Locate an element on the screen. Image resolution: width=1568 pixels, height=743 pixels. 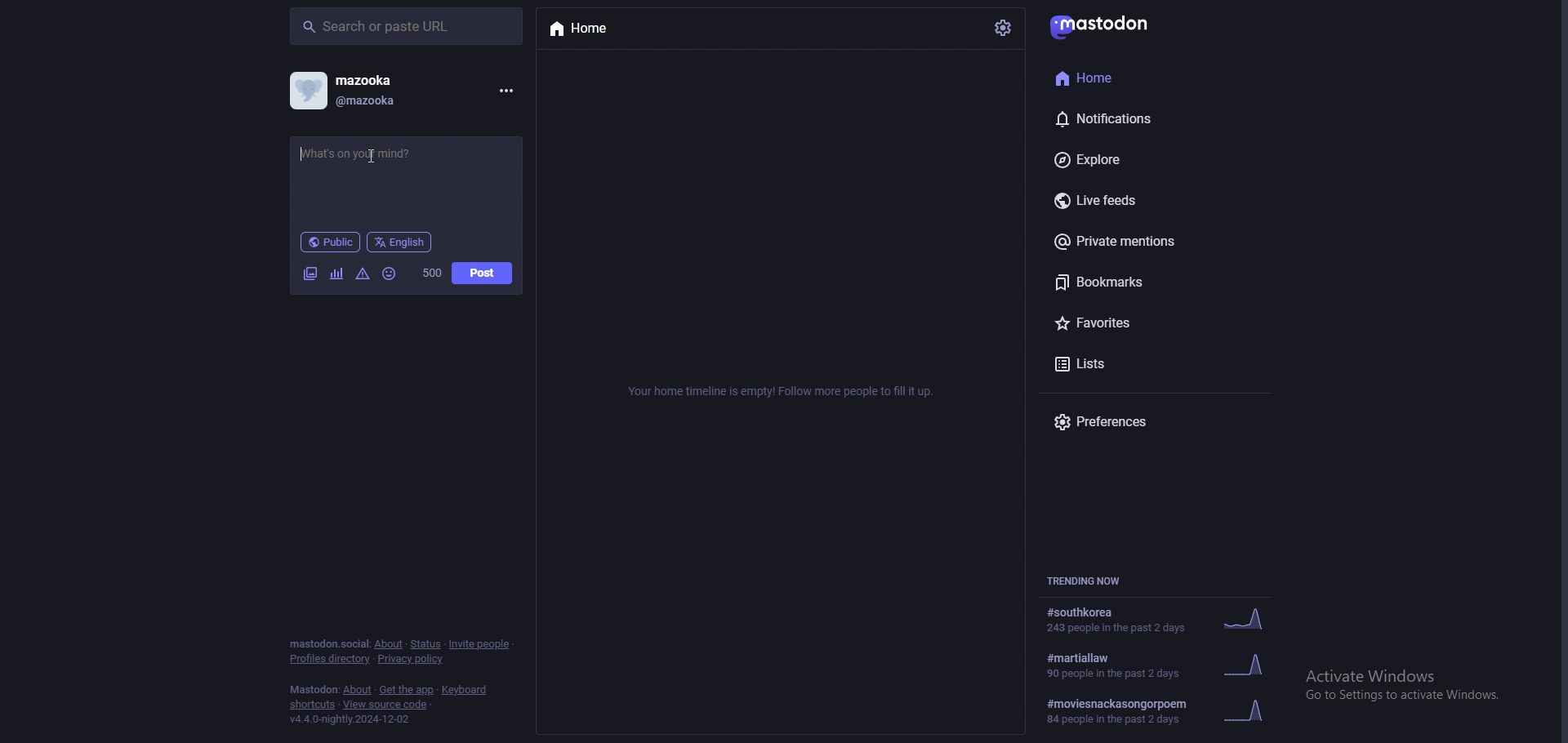
version is located at coordinates (353, 719).